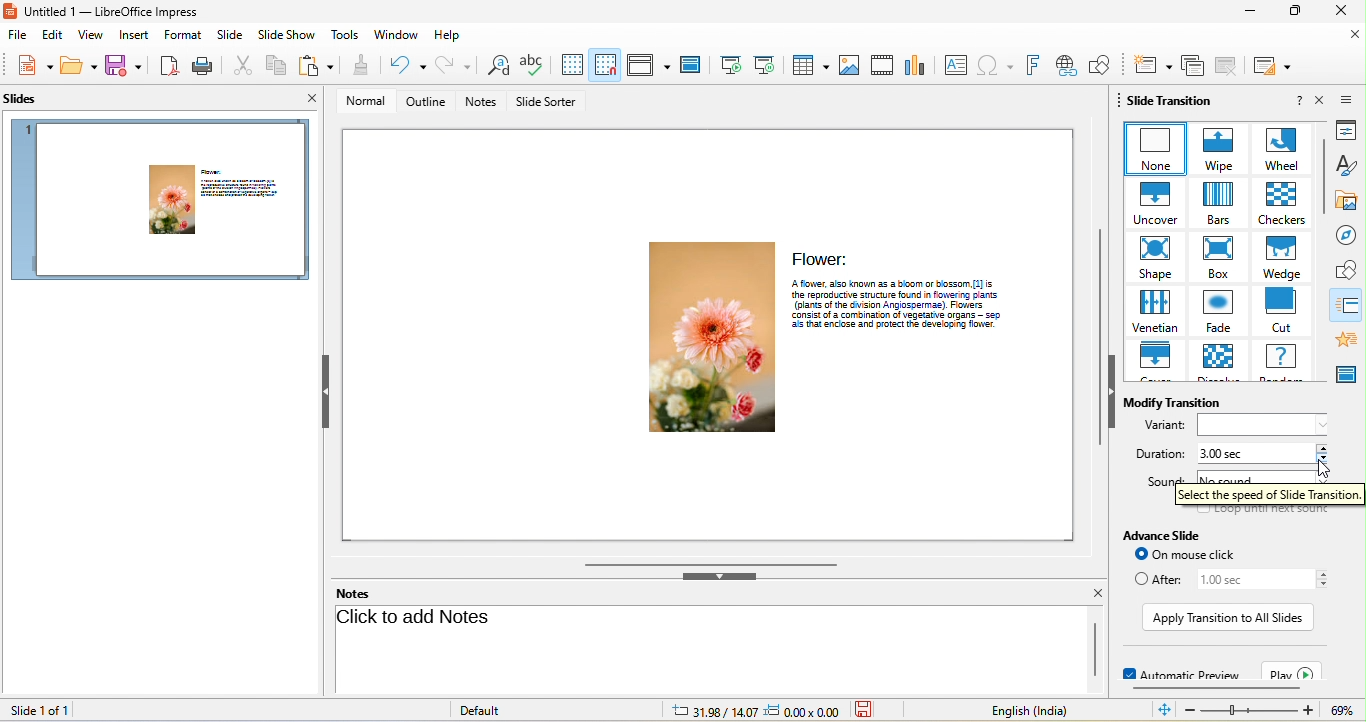 Image resolution: width=1366 pixels, height=722 pixels. Describe the element at coordinates (1347, 711) in the screenshot. I see `current zoom` at that location.